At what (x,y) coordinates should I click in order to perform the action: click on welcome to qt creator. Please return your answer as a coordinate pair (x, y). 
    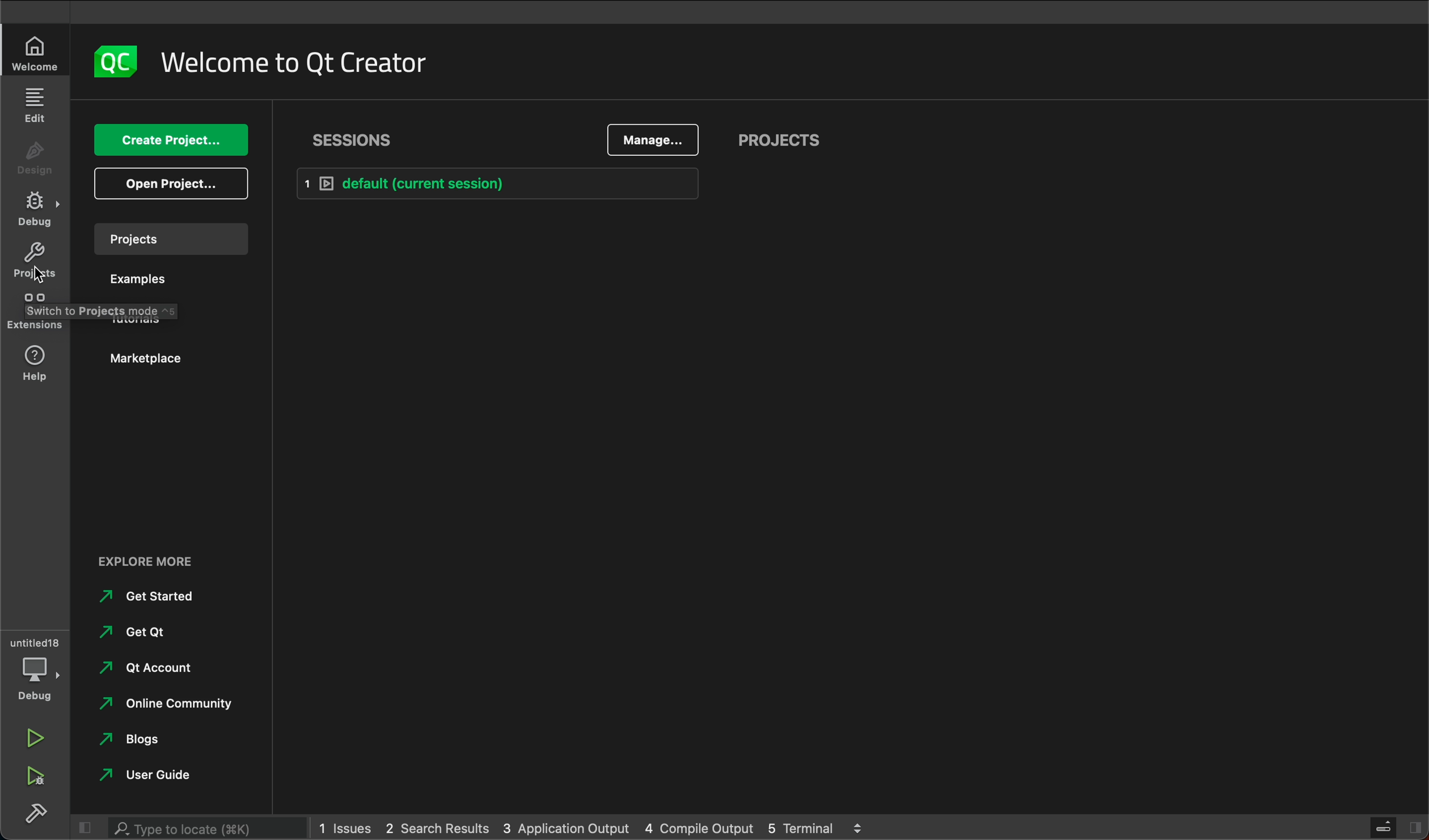
    Looking at the image, I should click on (297, 57).